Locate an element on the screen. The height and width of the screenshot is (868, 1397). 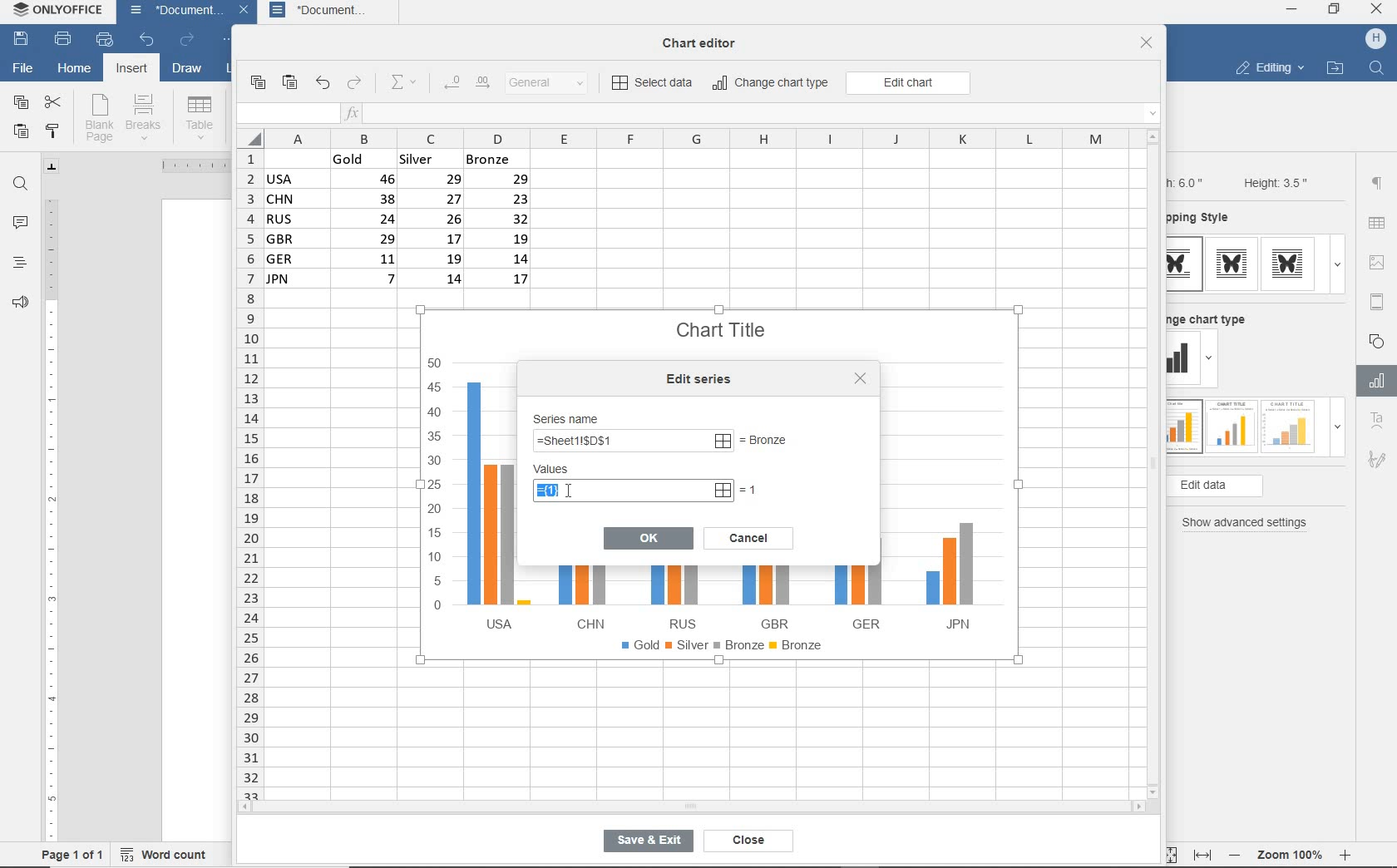
summation is located at coordinates (407, 83).